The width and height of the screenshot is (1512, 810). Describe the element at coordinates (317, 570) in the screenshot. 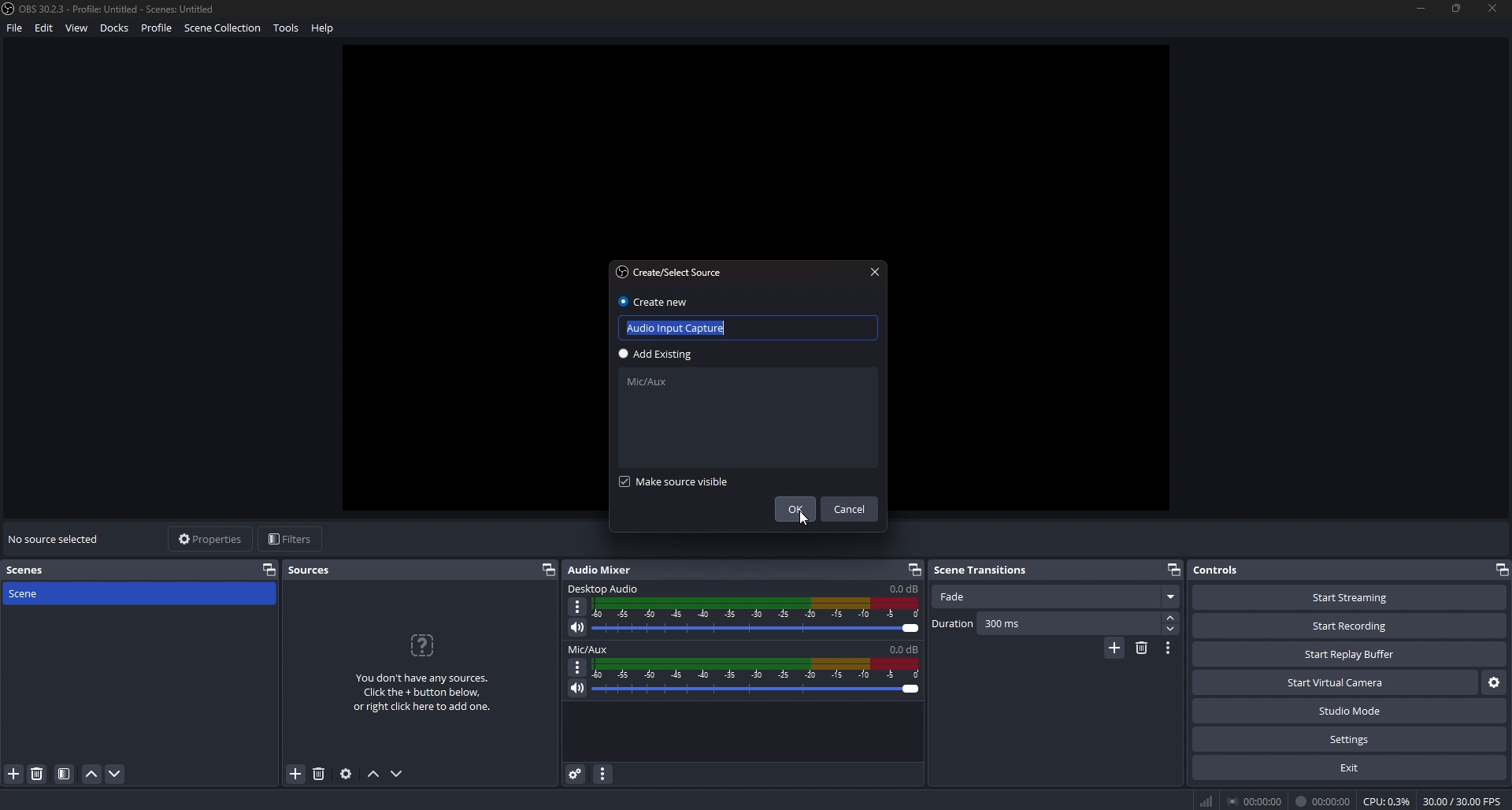

I see `sources` at that location.